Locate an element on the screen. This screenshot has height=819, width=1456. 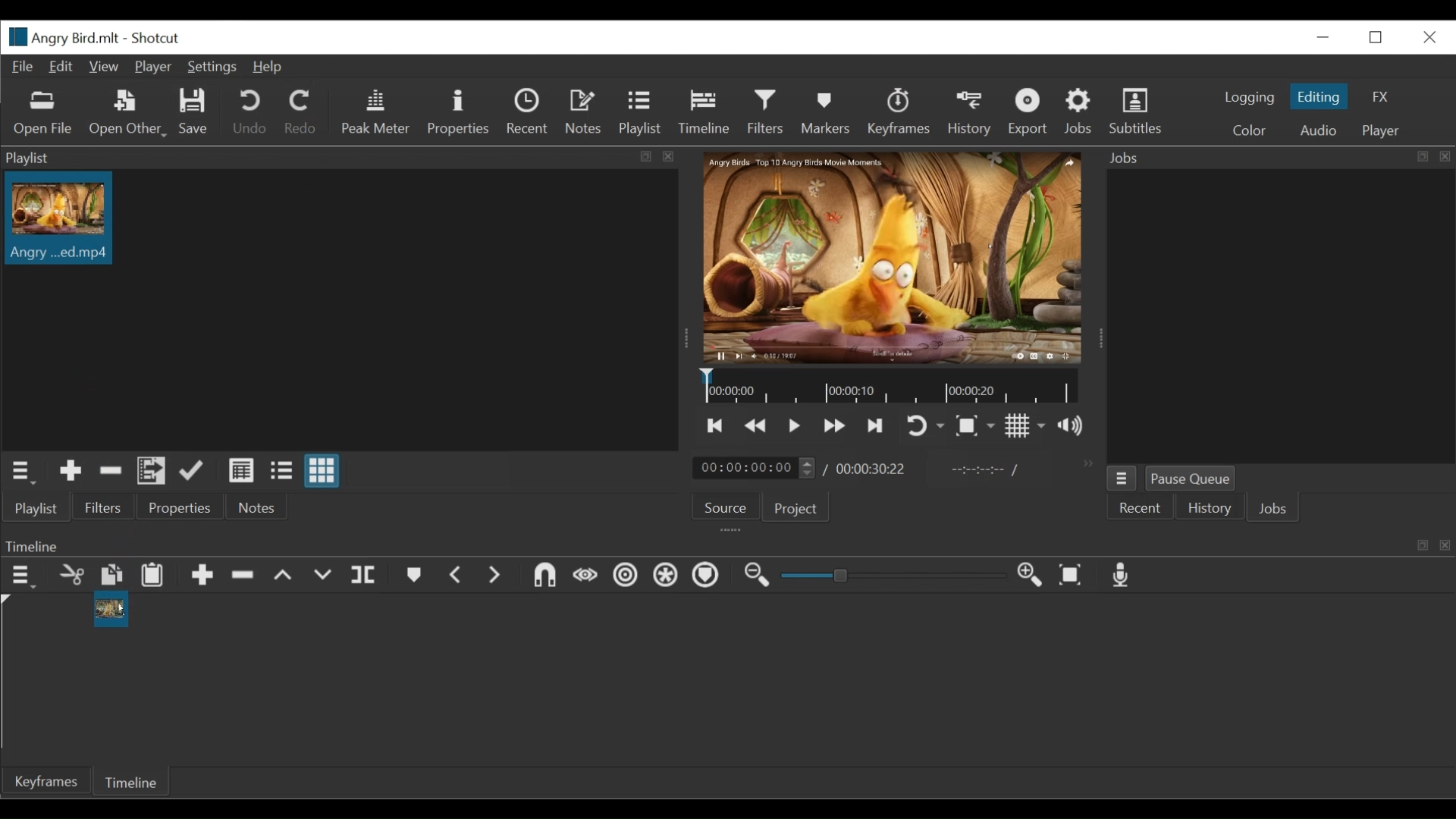
Filters is located at coordinates (765, 112).